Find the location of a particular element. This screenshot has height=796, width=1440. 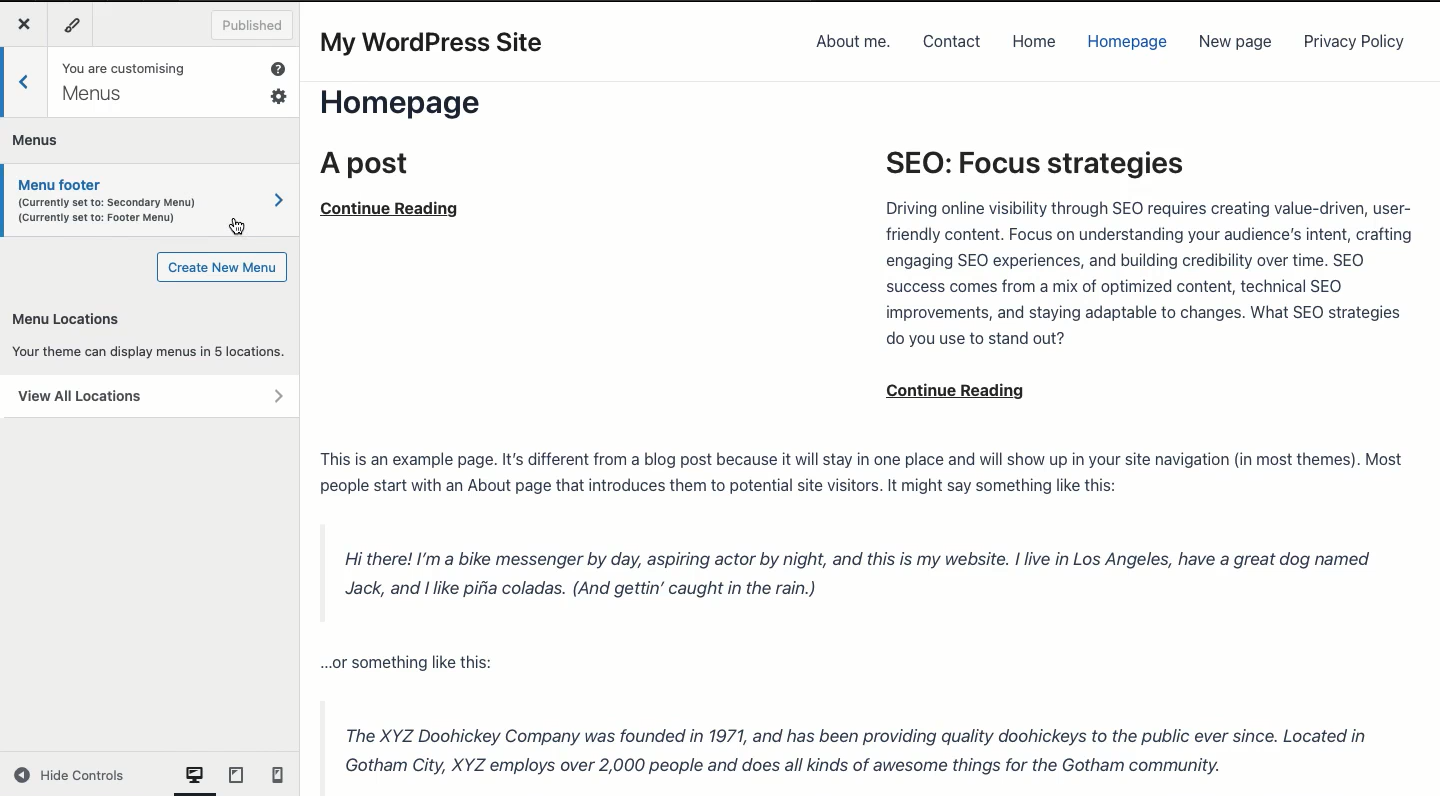

Home page is located at coordinates (420, 135).